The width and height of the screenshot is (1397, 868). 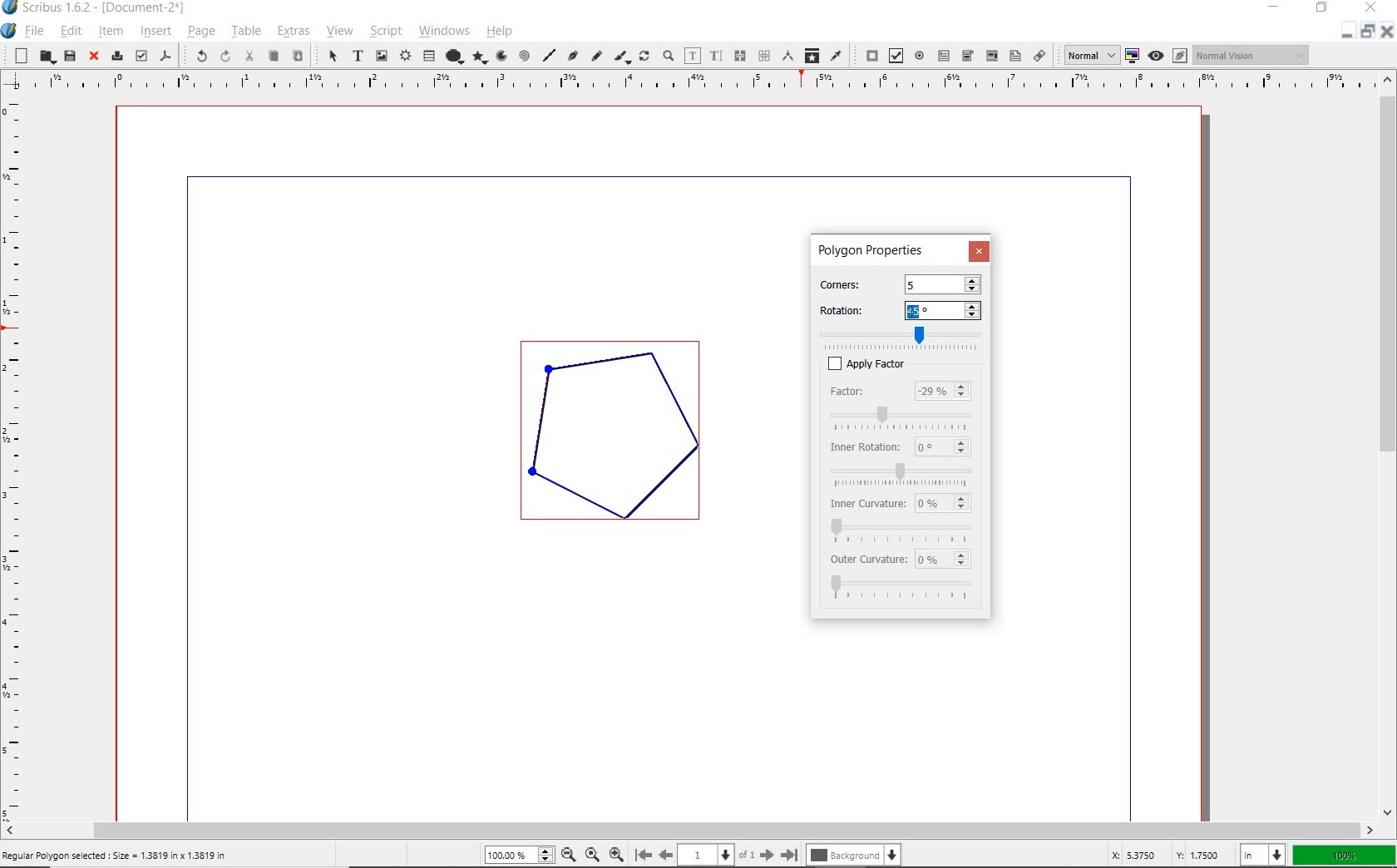 What do you see at coordinates (904, 589) in the screenshot?
I see `outer curvature slider` at bounding box center [904, 589].